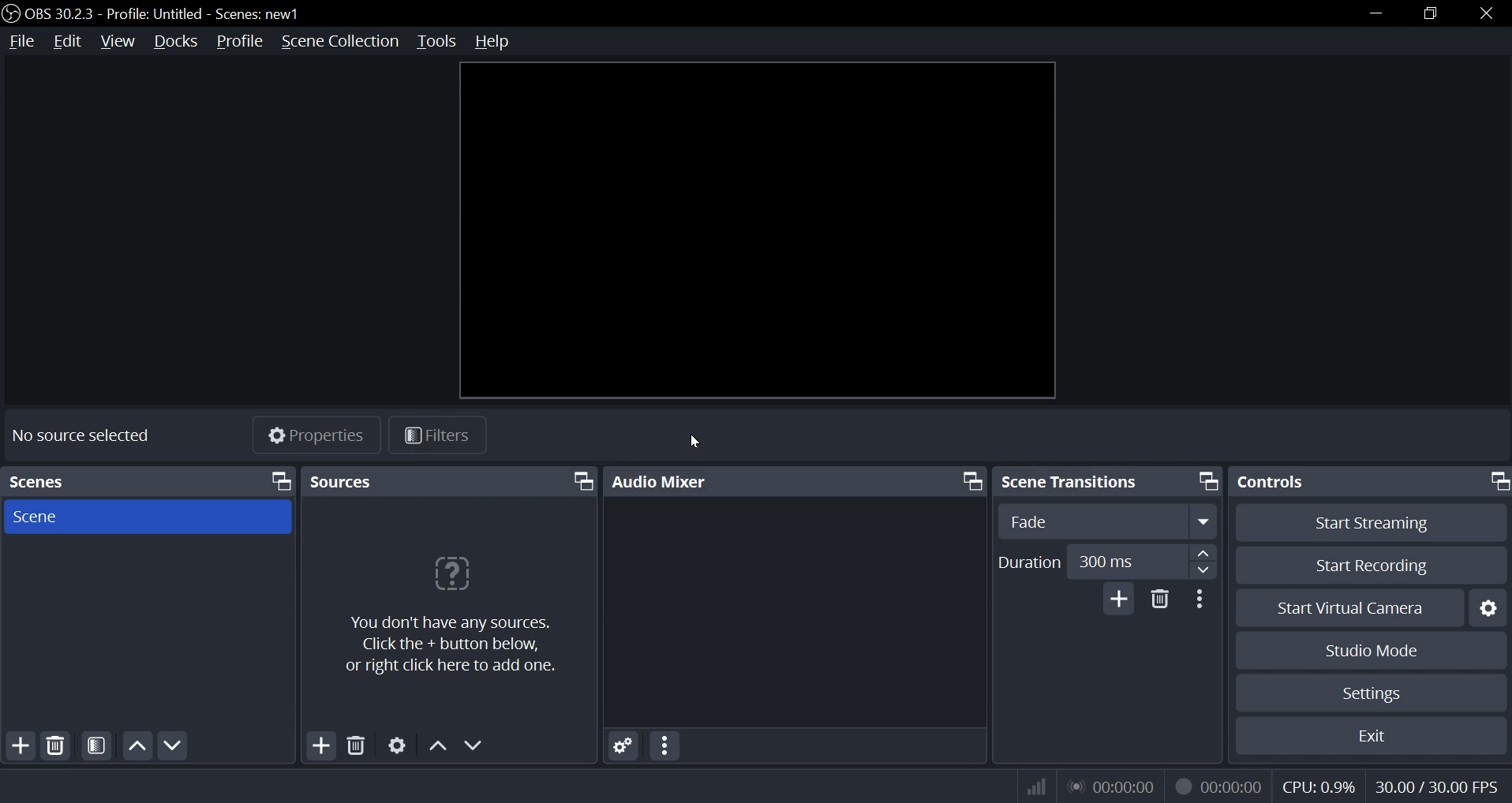 The width and height of the screenshot is (1512, 803). I want to click on bring front, so click(1205, 480).